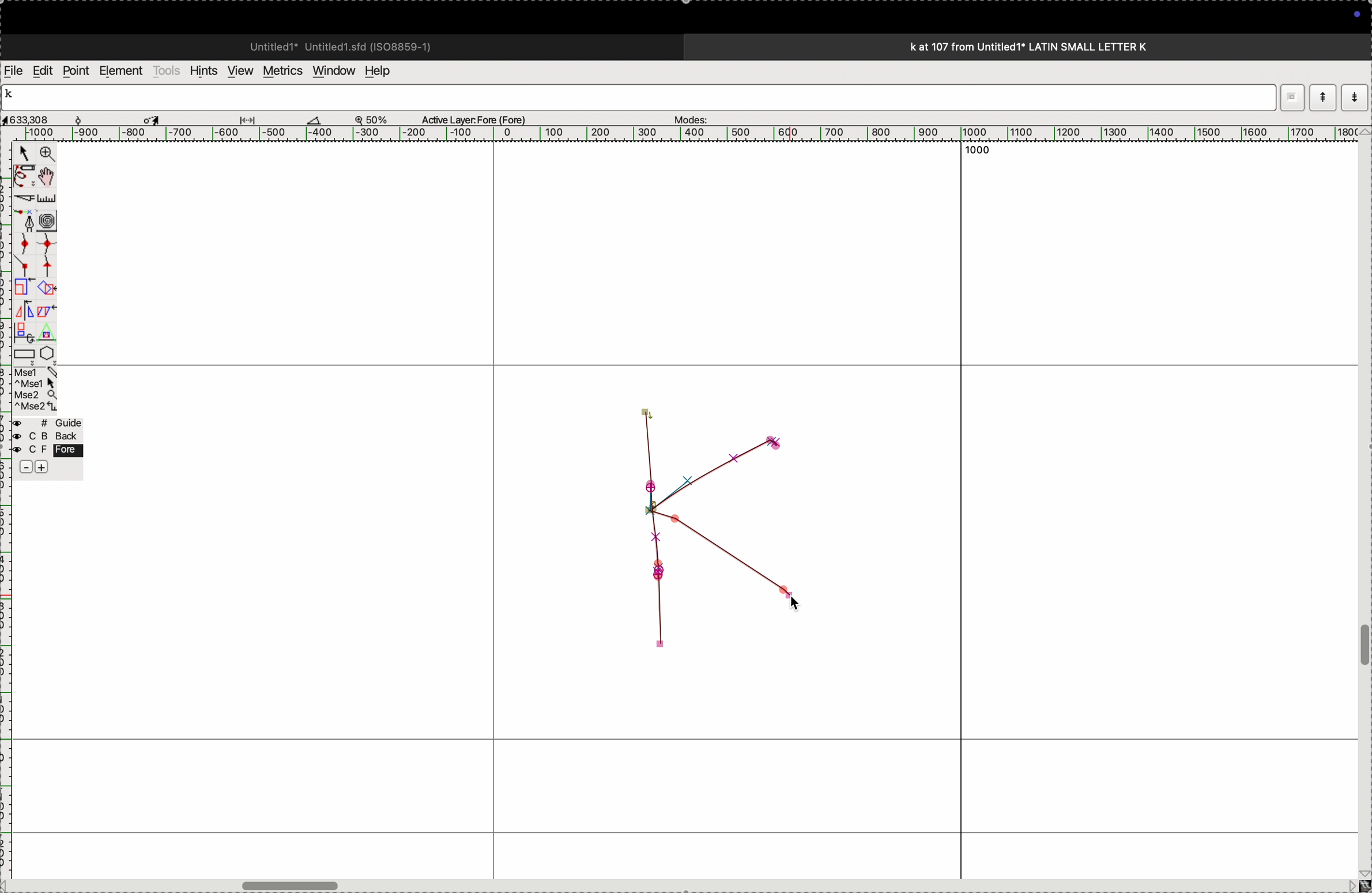 Image resolution: width=1372 pixels, height=893 pixels. What do you see at coordinates (673, 134) in the screenshot?
I see `horizontal scale` at bounding box center [673, 134].